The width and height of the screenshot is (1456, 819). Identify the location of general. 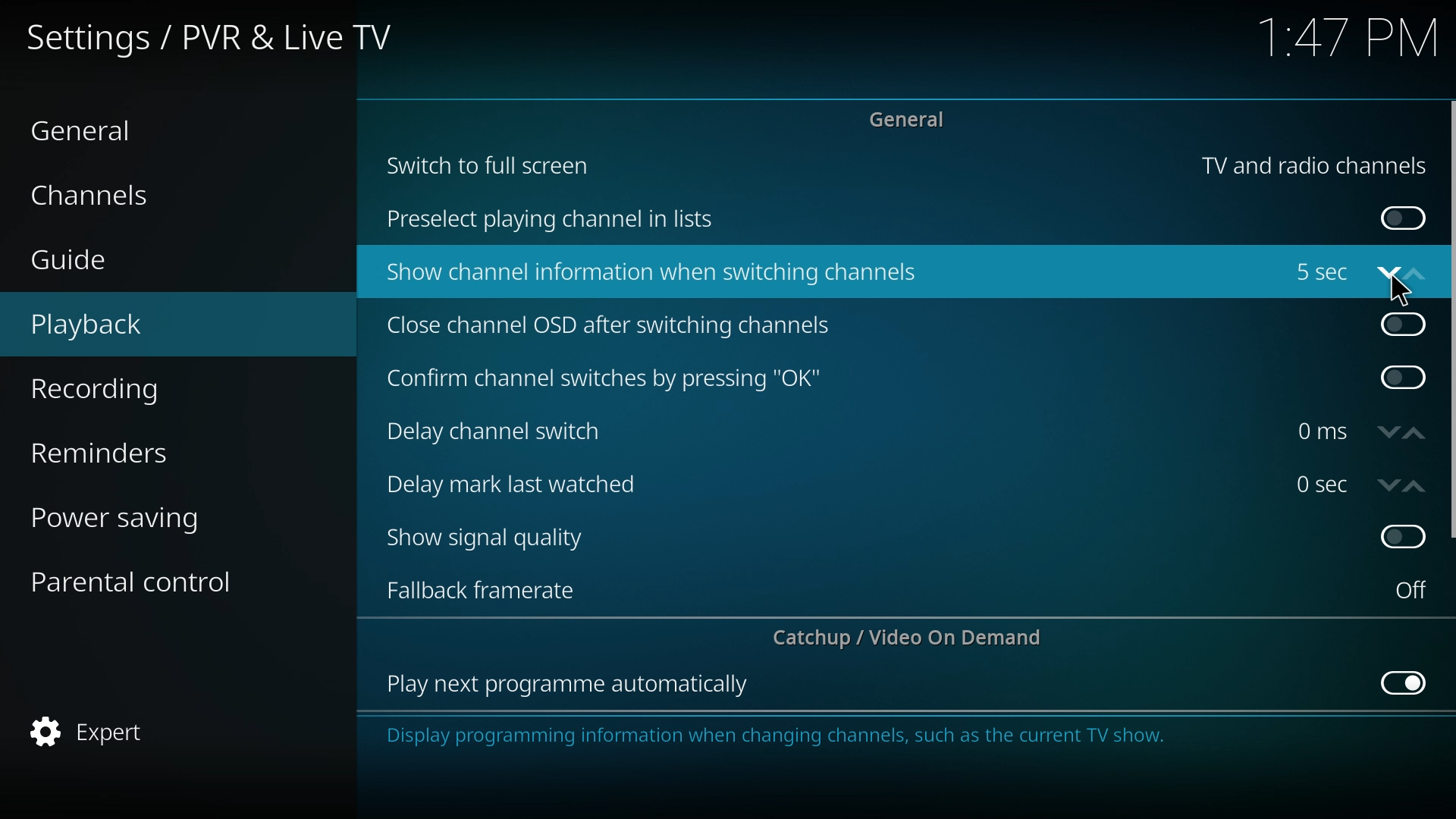
(913, 118).